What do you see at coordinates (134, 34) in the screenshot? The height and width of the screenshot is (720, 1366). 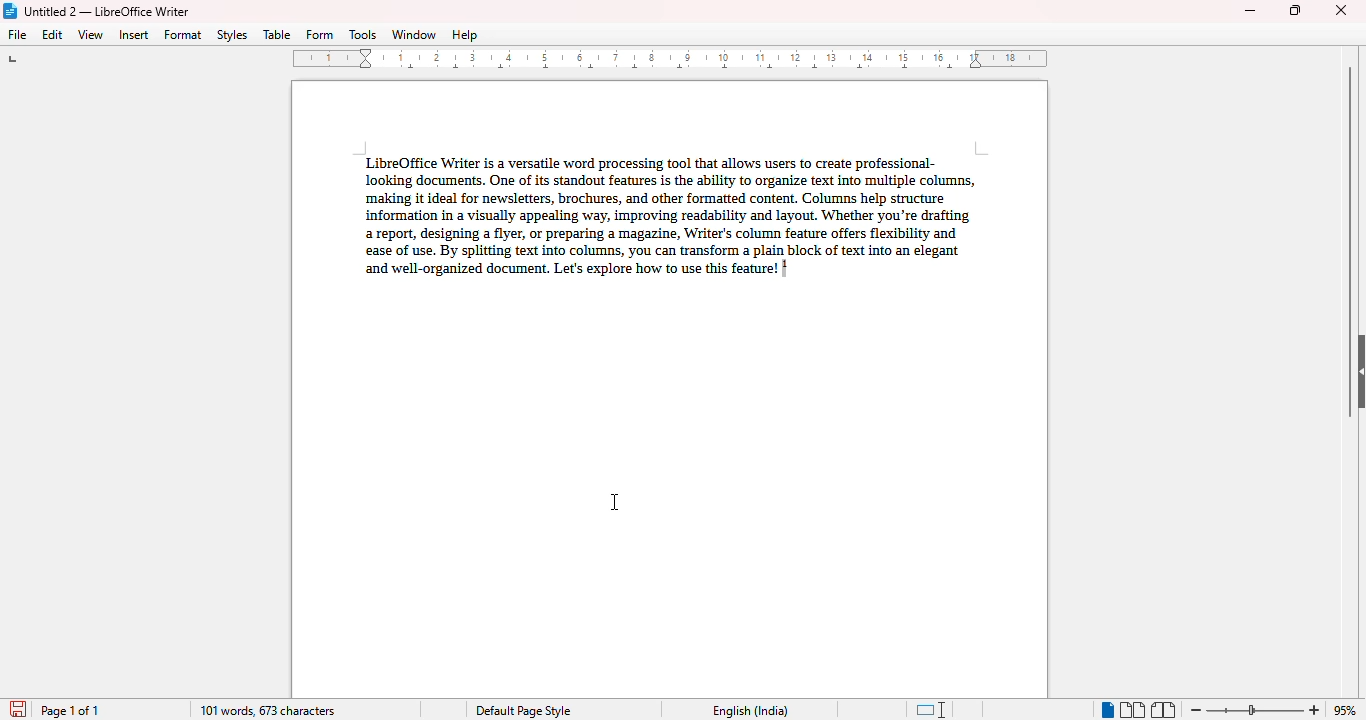 I see `insert` at bounding box center [134, 34].